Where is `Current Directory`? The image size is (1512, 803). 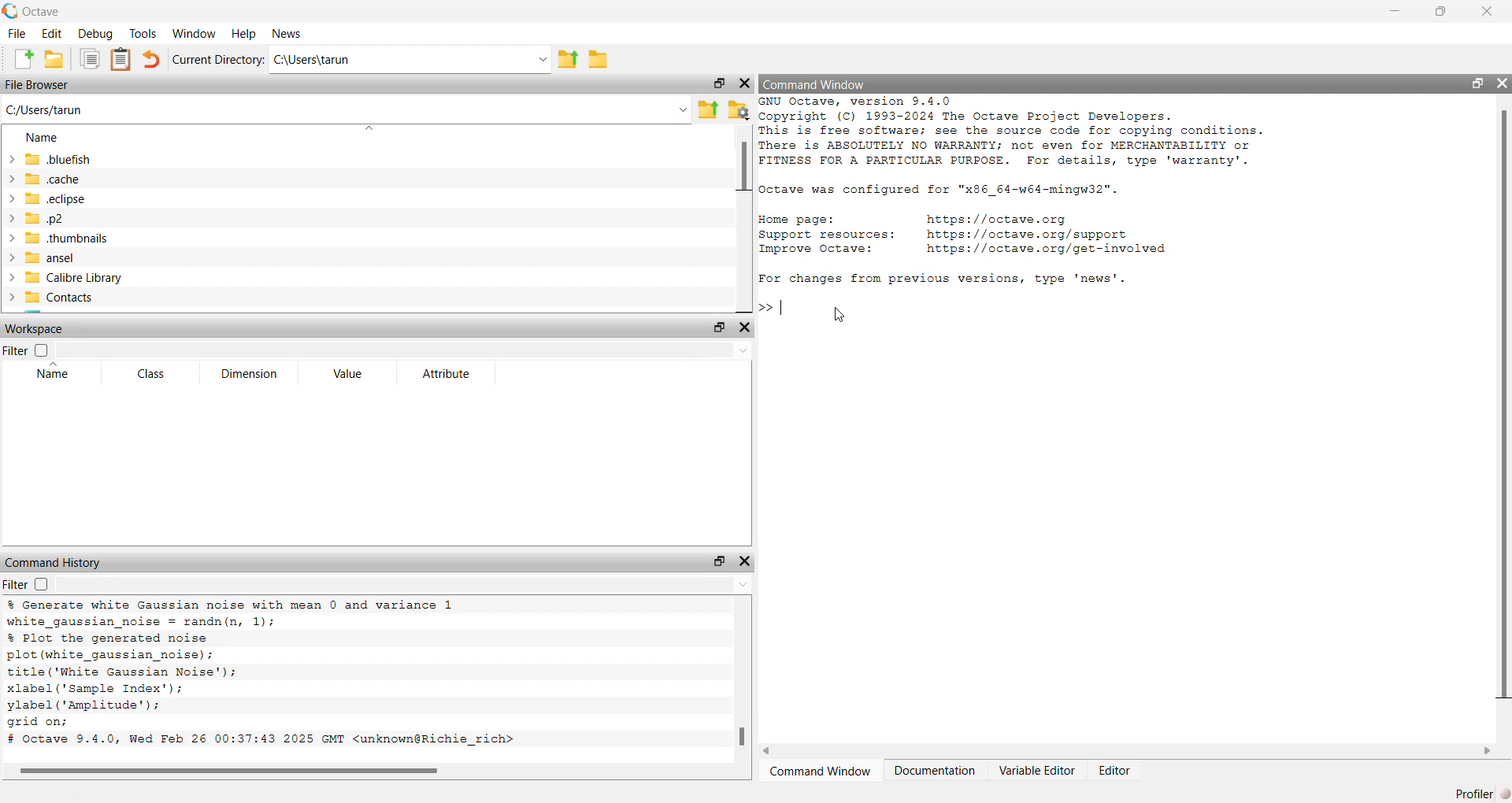
Current Directory is located at coordinates (217, 58).